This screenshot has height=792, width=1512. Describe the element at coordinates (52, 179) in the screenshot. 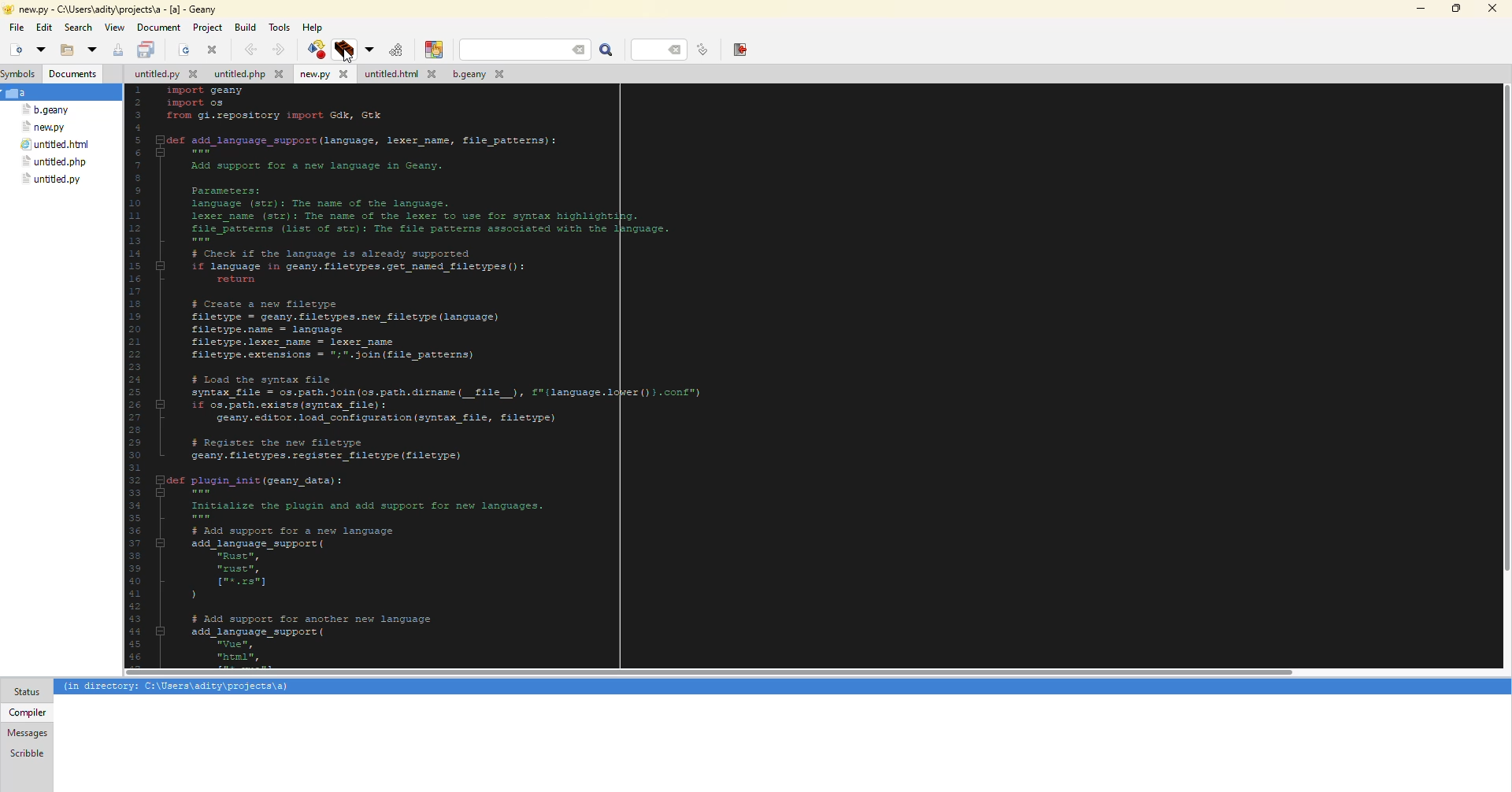

I see `file` at that location.